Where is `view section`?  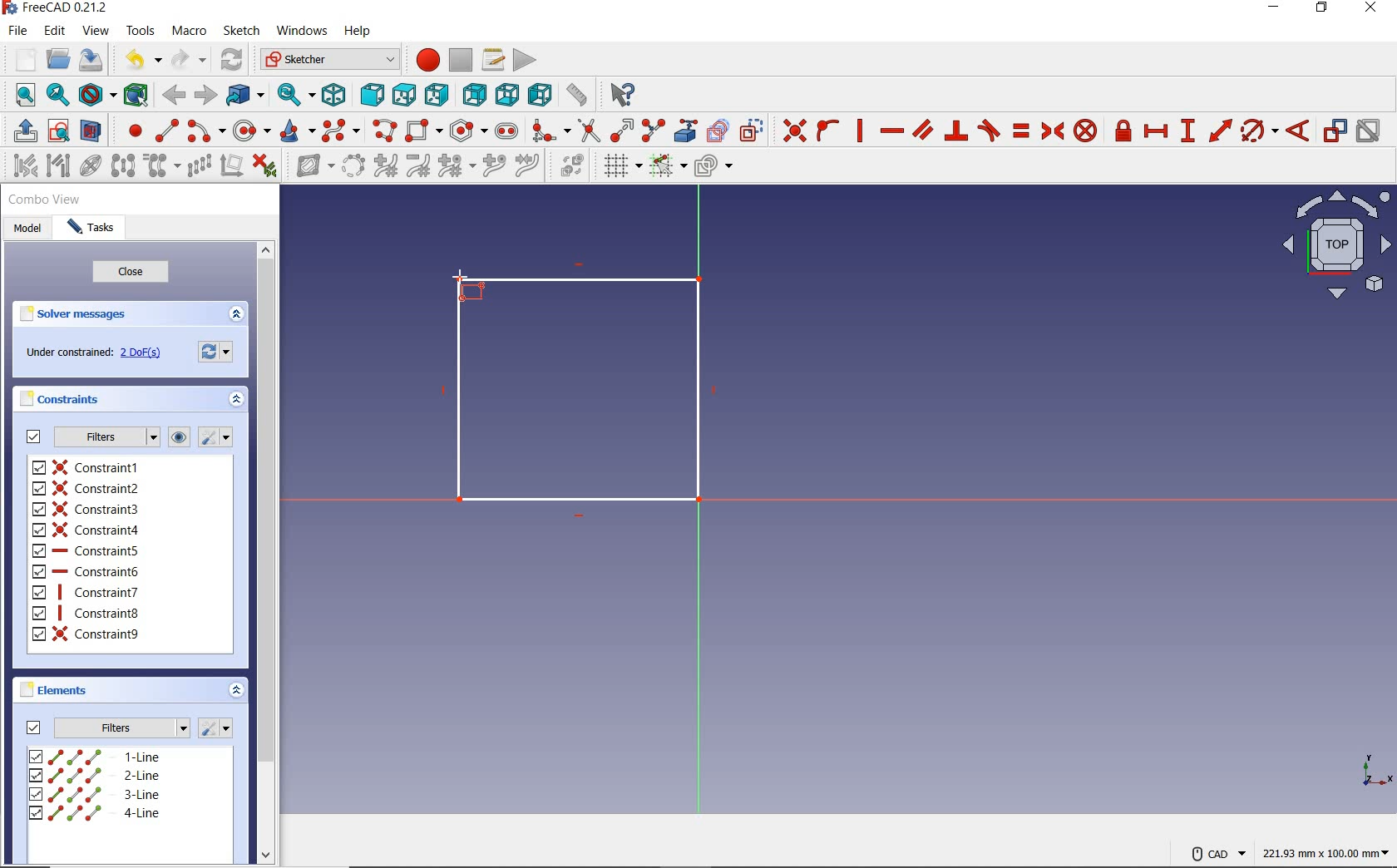
view section is located at coordinates (94, 131).